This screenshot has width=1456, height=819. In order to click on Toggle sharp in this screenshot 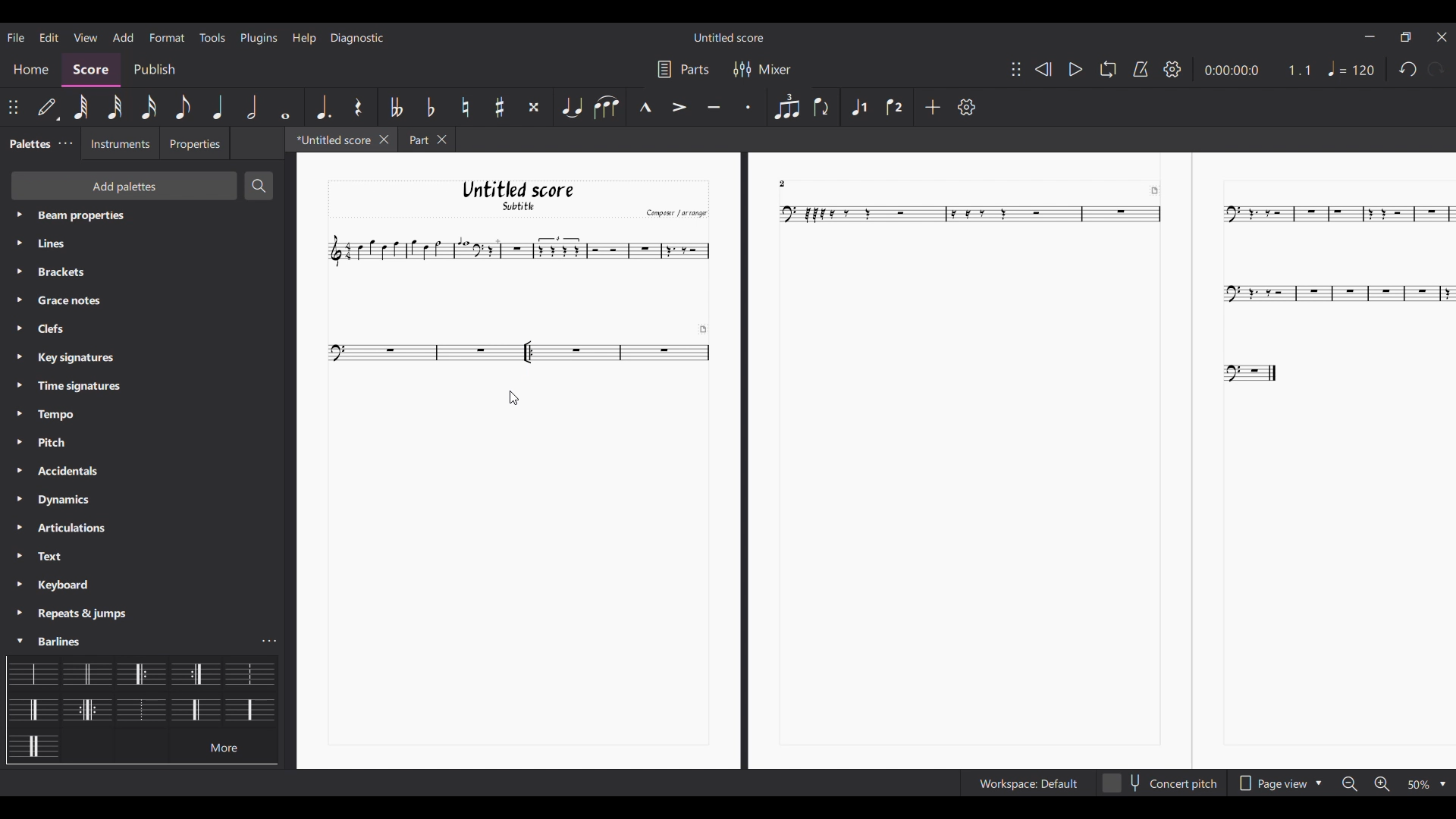, I will do `click(499, 107)`.